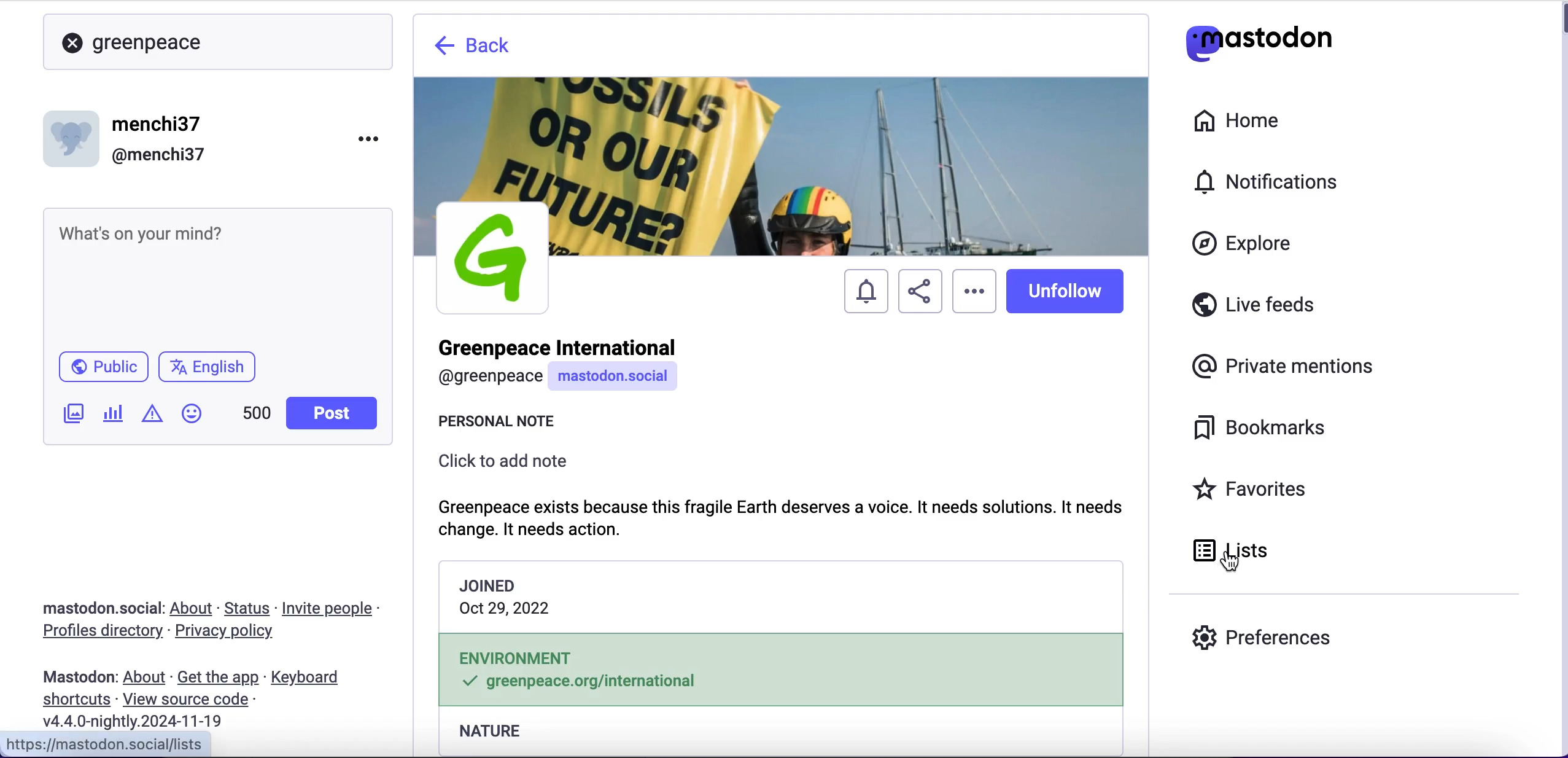 The height and width of the screenshot is (758, 1568). I want to click on environment, so click(781, 670).